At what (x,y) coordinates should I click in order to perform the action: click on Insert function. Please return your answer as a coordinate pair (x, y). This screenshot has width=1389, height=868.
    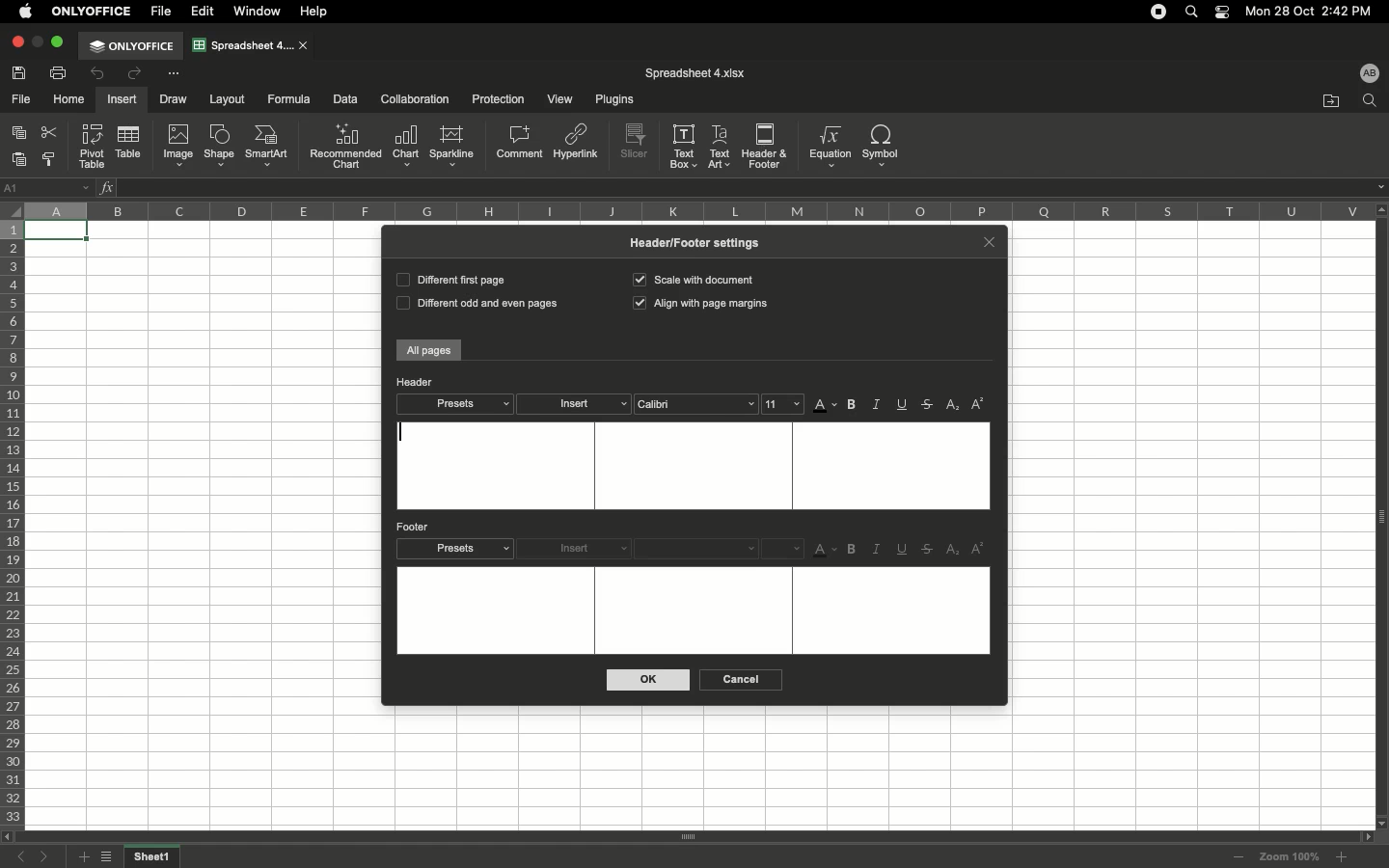
    Looking at the image, I should click on (108, 187).